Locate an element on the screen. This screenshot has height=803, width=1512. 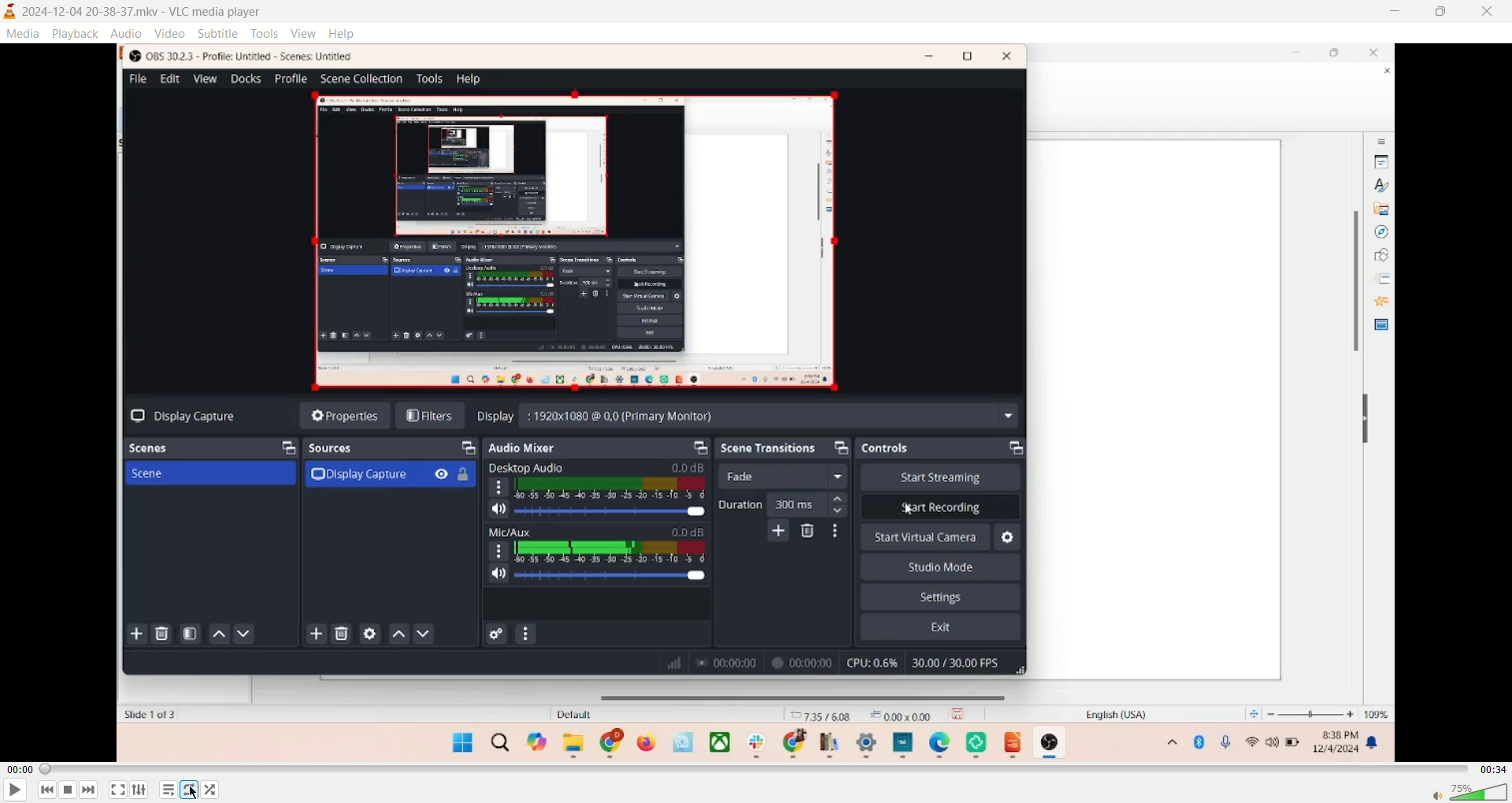
previous track is located at coordinates (46, 790).